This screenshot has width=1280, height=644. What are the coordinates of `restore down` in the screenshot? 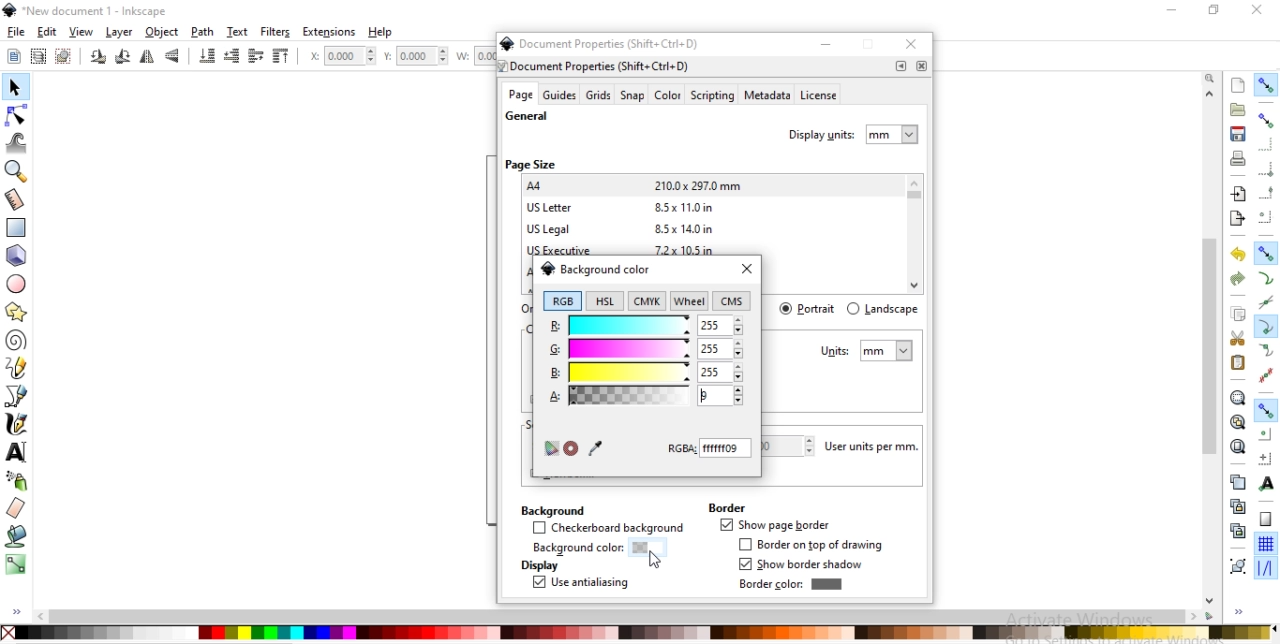 It's located at (870, 46).